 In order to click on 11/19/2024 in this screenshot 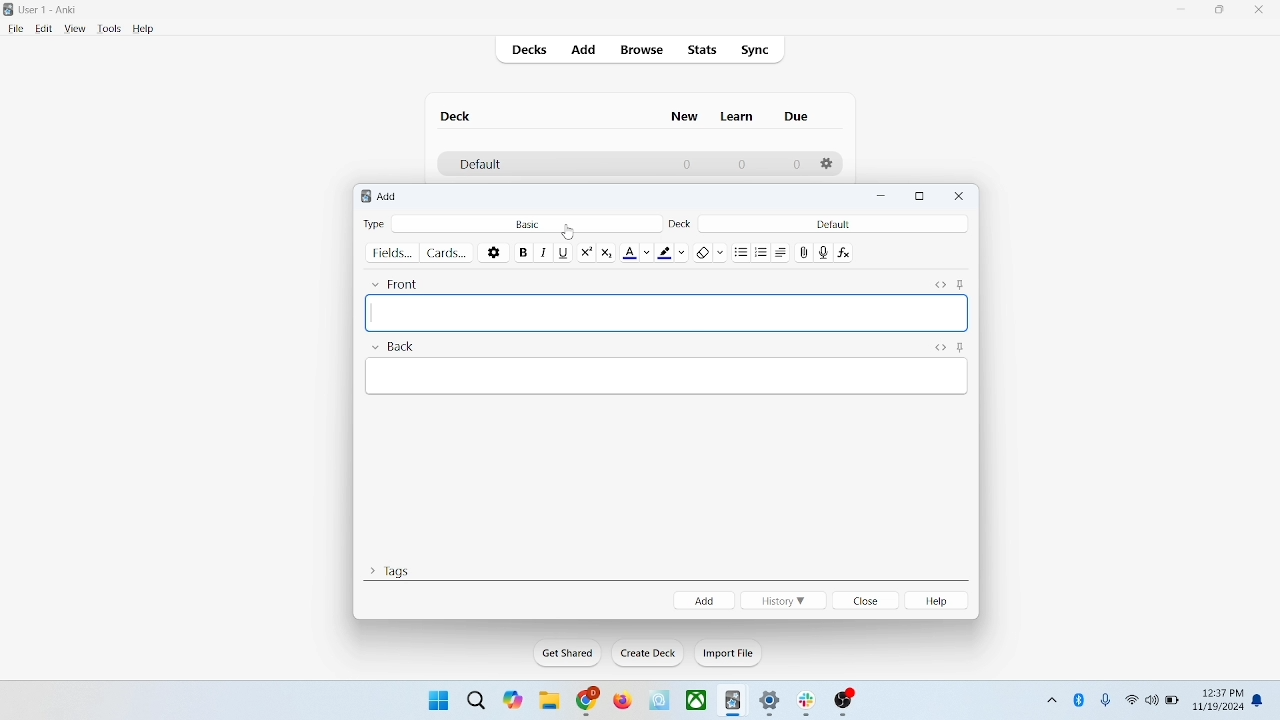, I will do `click(1217, 708)`.